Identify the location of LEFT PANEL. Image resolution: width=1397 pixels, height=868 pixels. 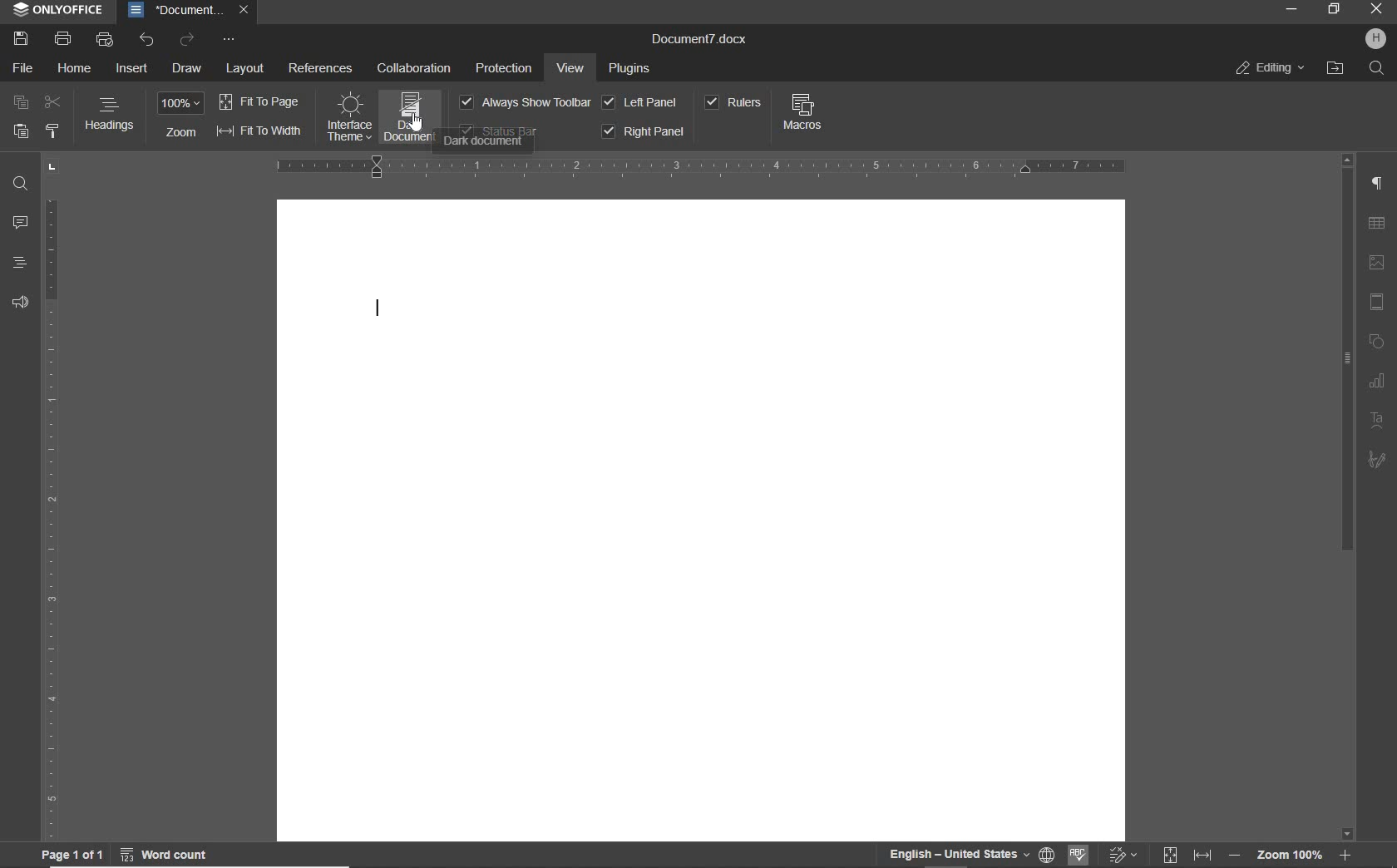
(641, 101).